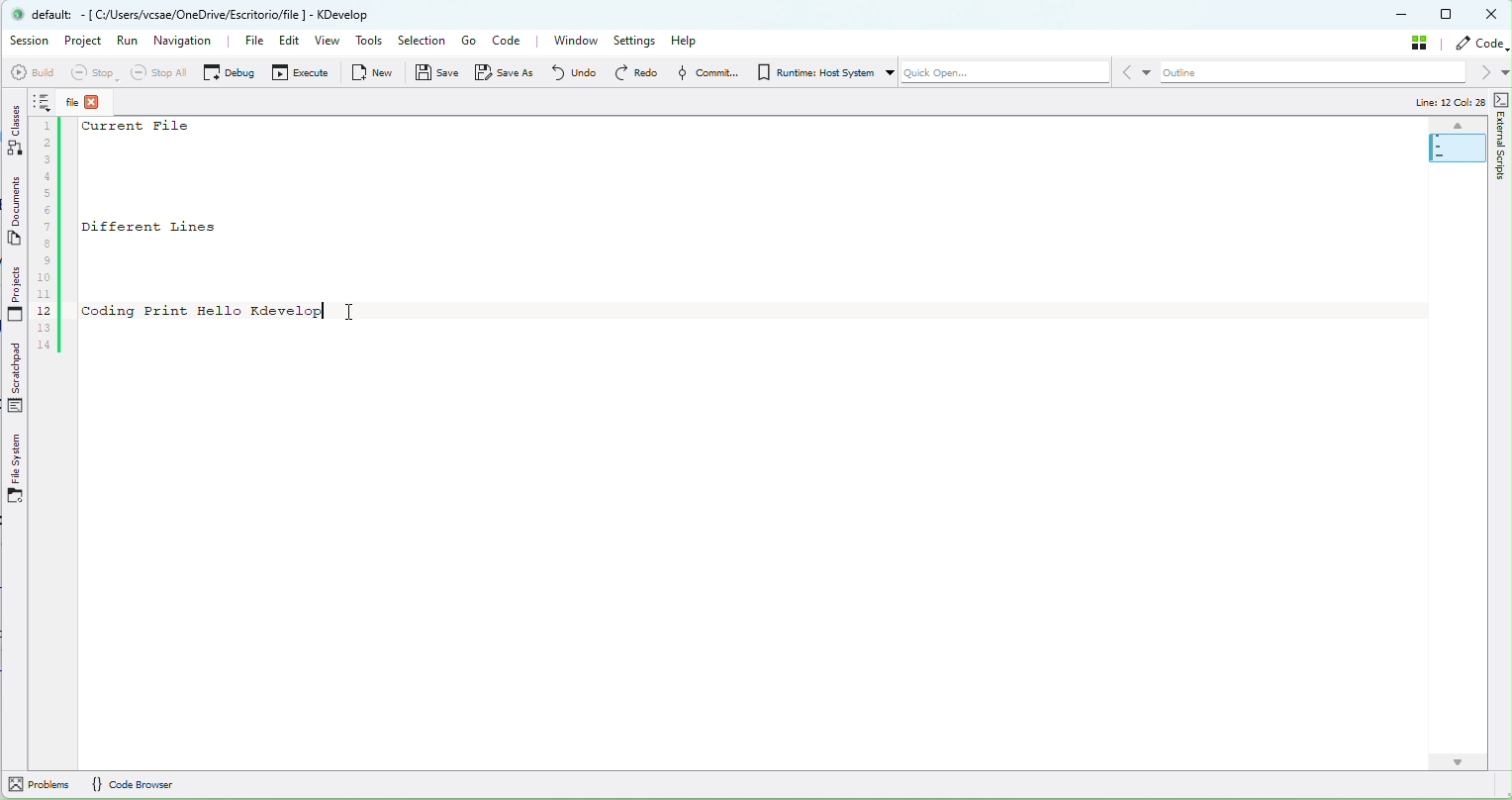 The width and height of the screenshot is (1512, 800). Describe the element at coordinates (996, 75) in the screenshot. I see `Quick Open` at that location.